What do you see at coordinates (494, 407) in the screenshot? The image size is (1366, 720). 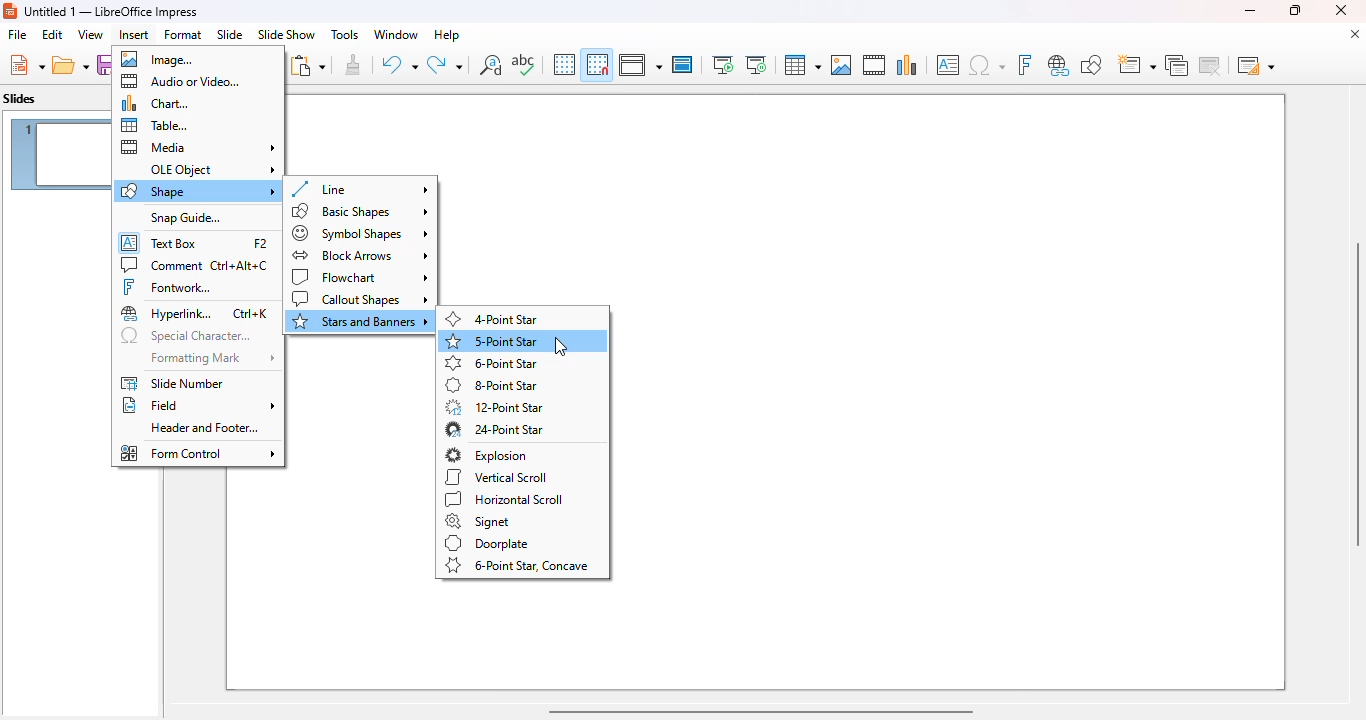 I see `12-point star` at bounding box center [494, 407].